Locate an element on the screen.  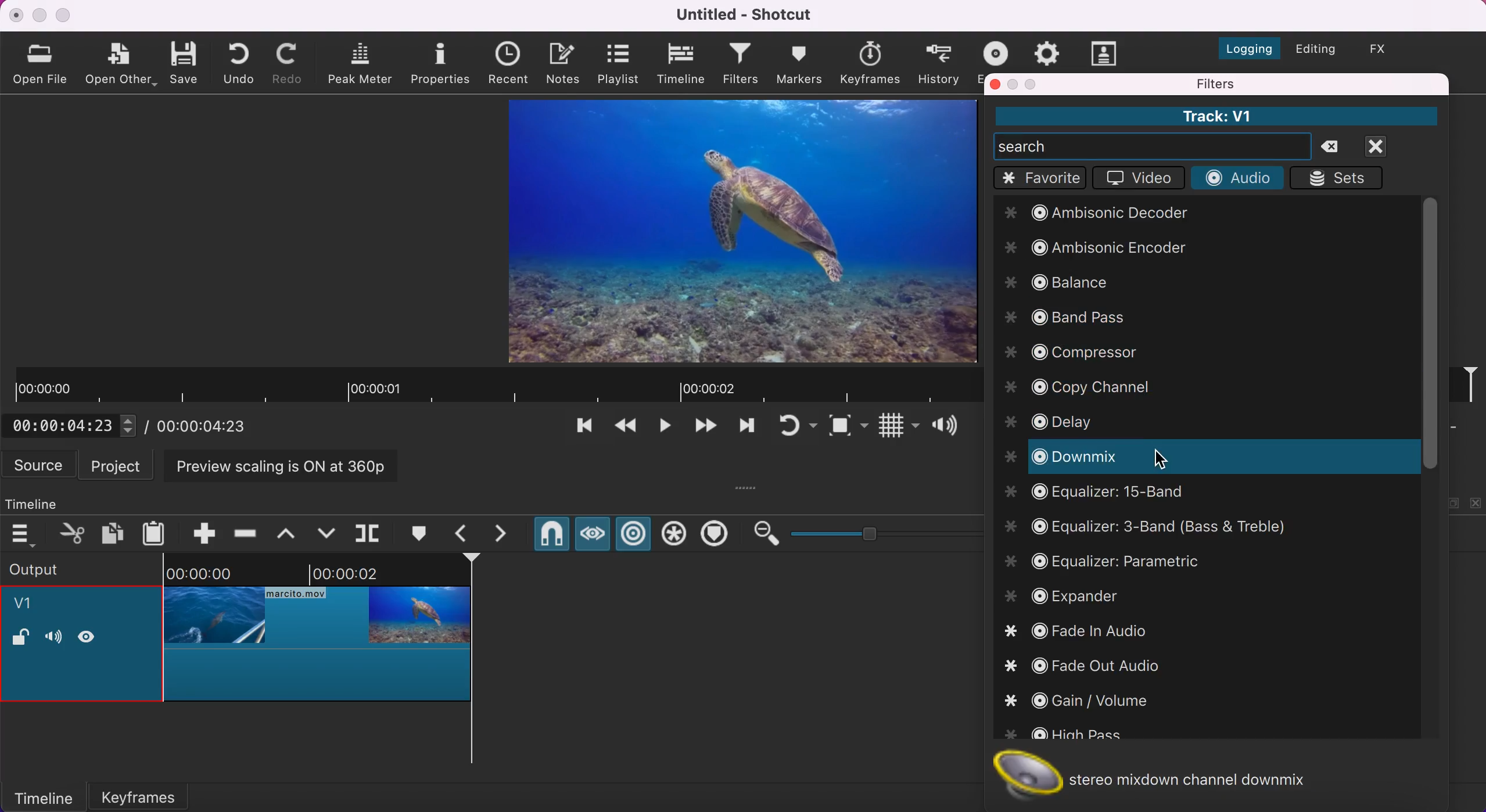
ambisonic decoder is located at coordinates (1108, 215).